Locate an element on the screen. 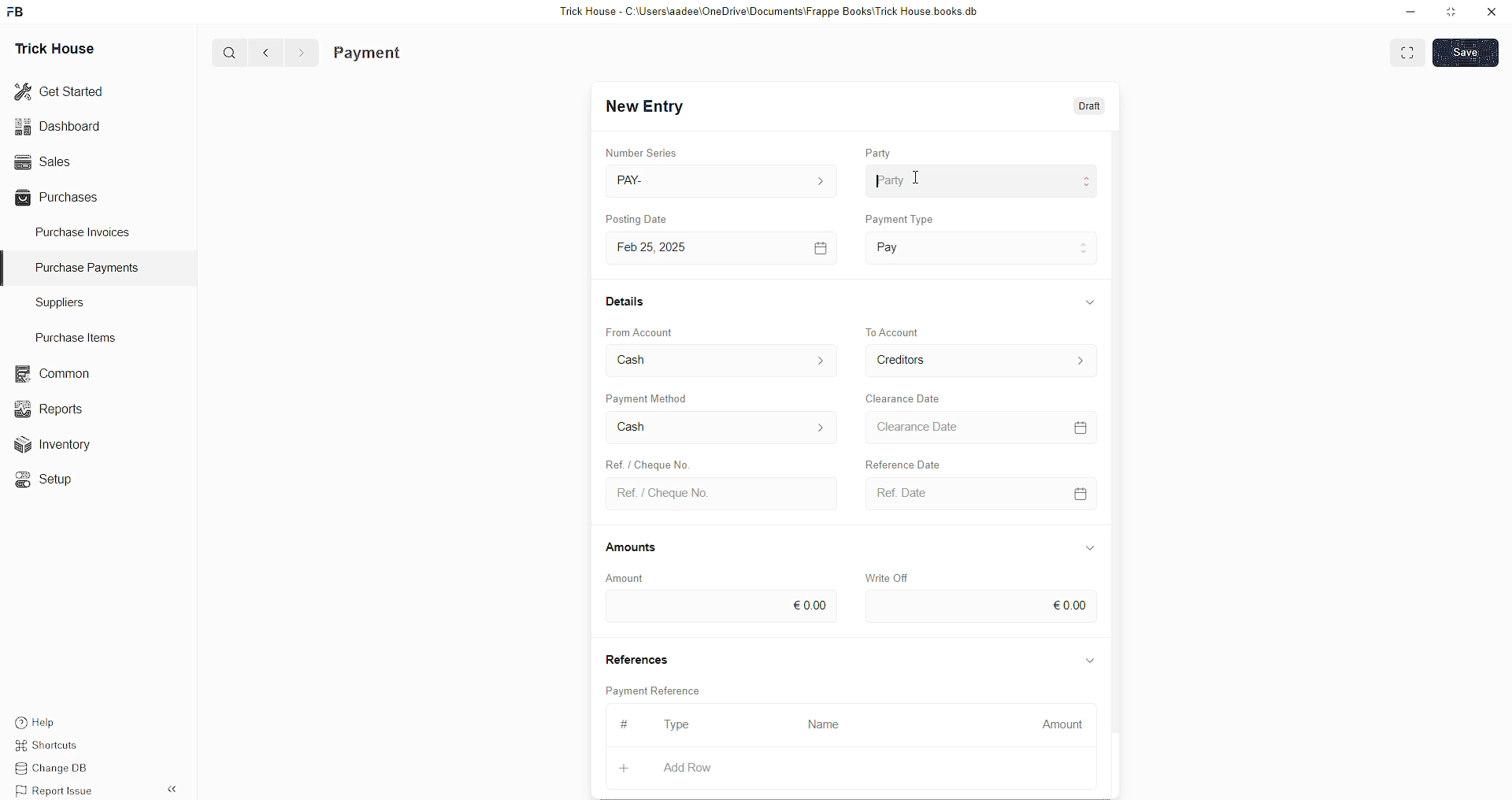 This screenshot has height=800, width=1512. Payment Reference is located at coordinates (661, 689).